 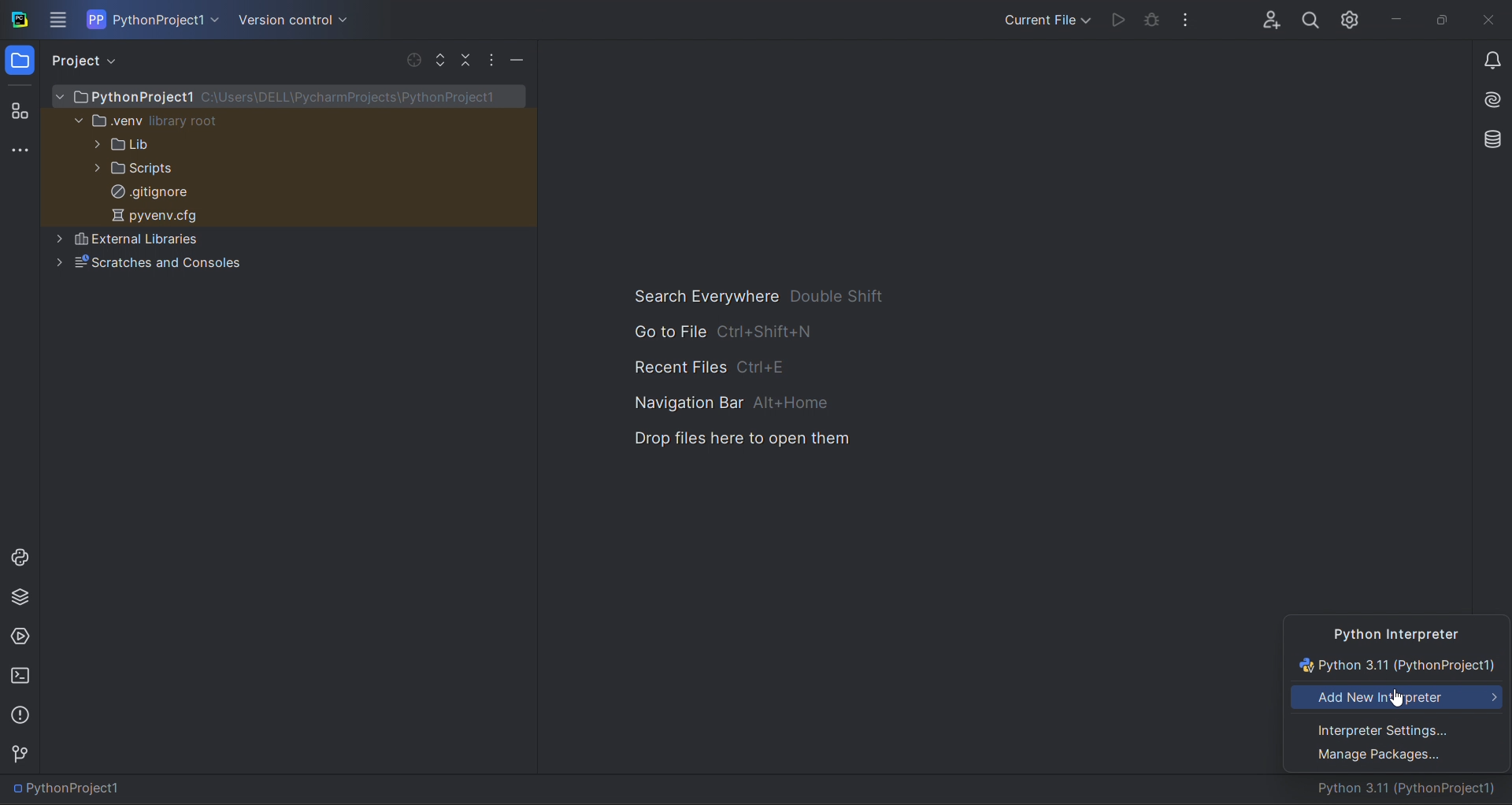 I want to click on file tree, so click(x=289, y=184).